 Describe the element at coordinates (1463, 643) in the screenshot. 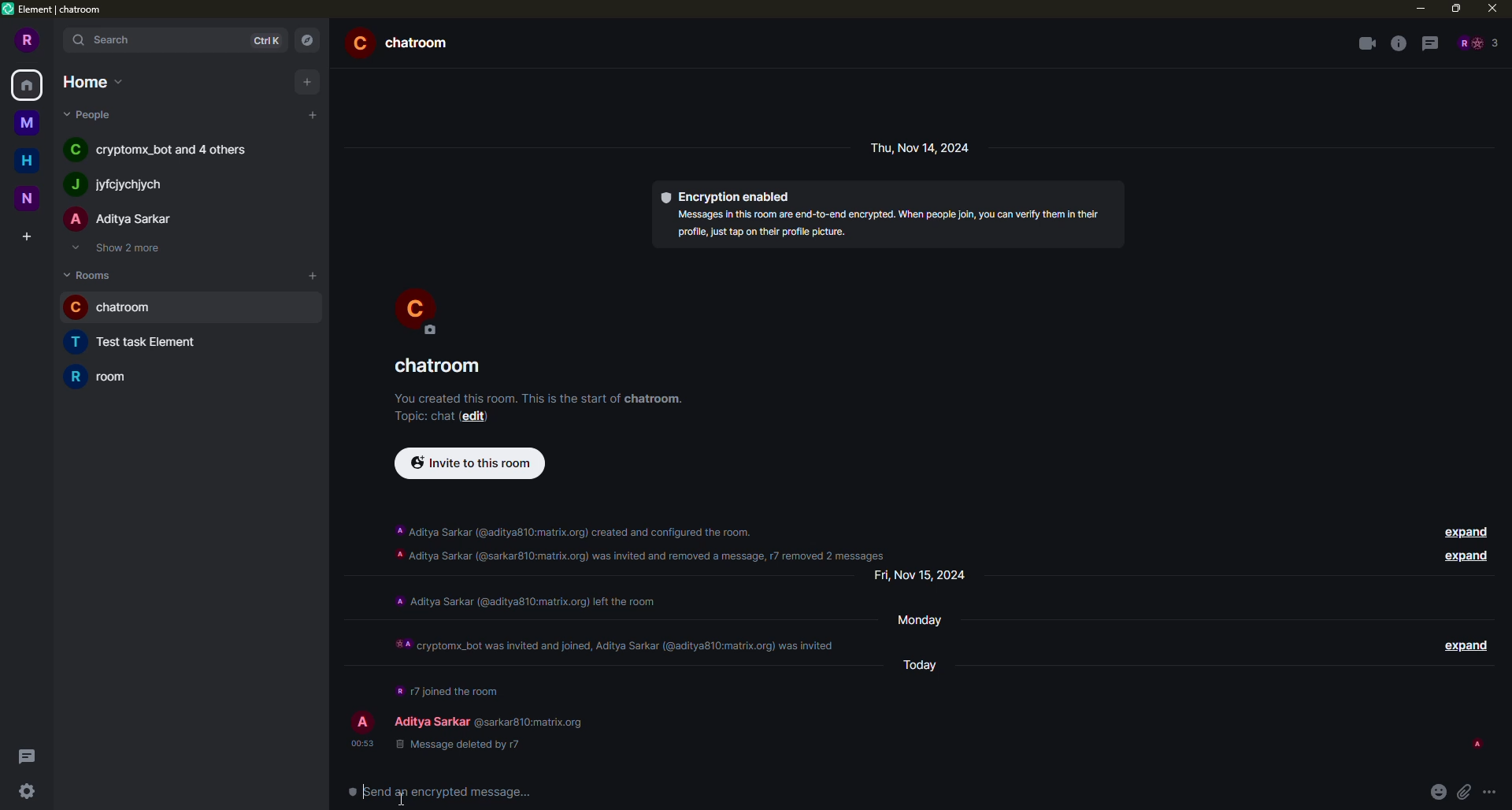

I see `expand` at that location.